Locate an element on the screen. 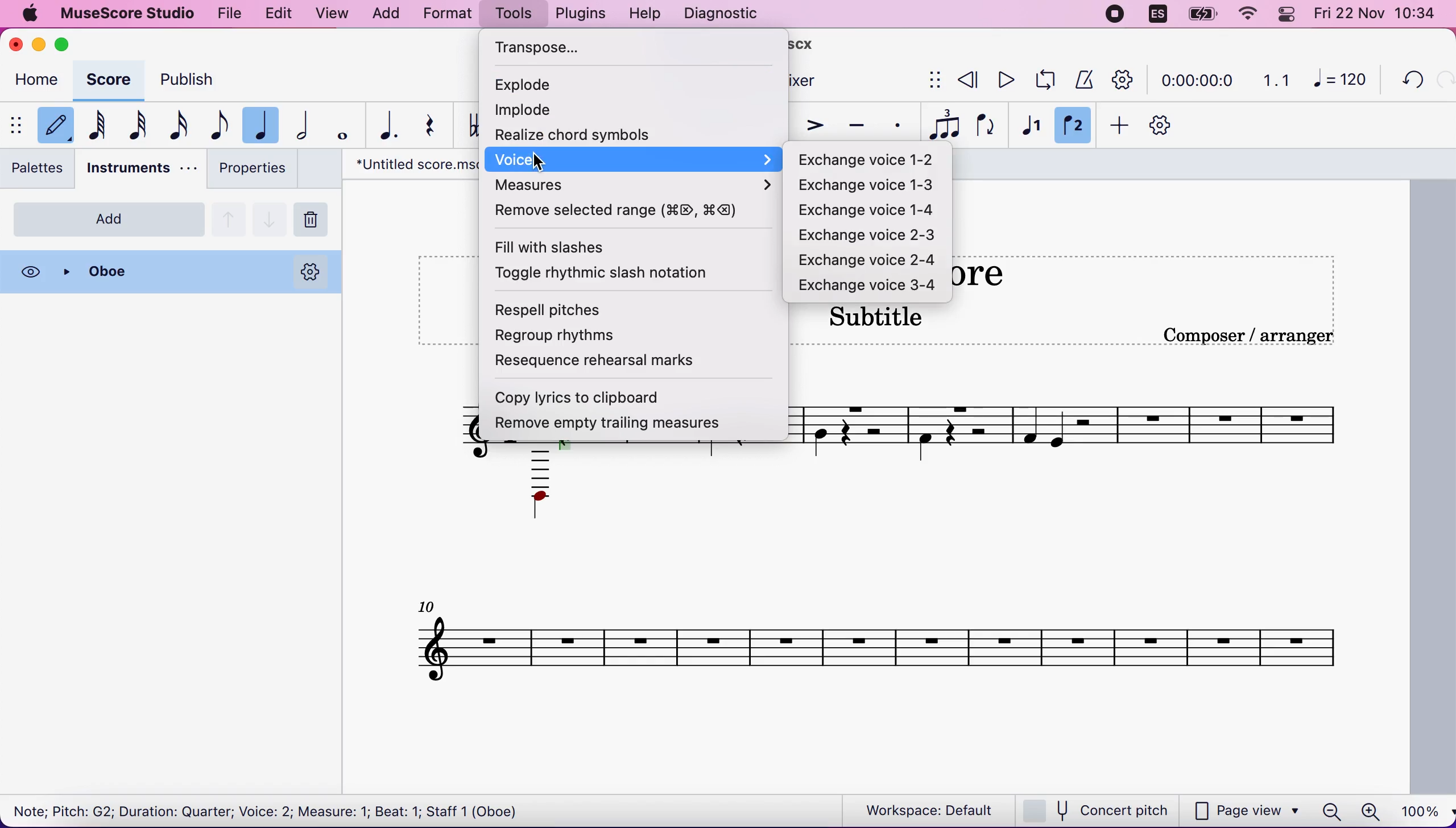 The image size is (1456, 828). quarter note is located at coordinates (260, 125).